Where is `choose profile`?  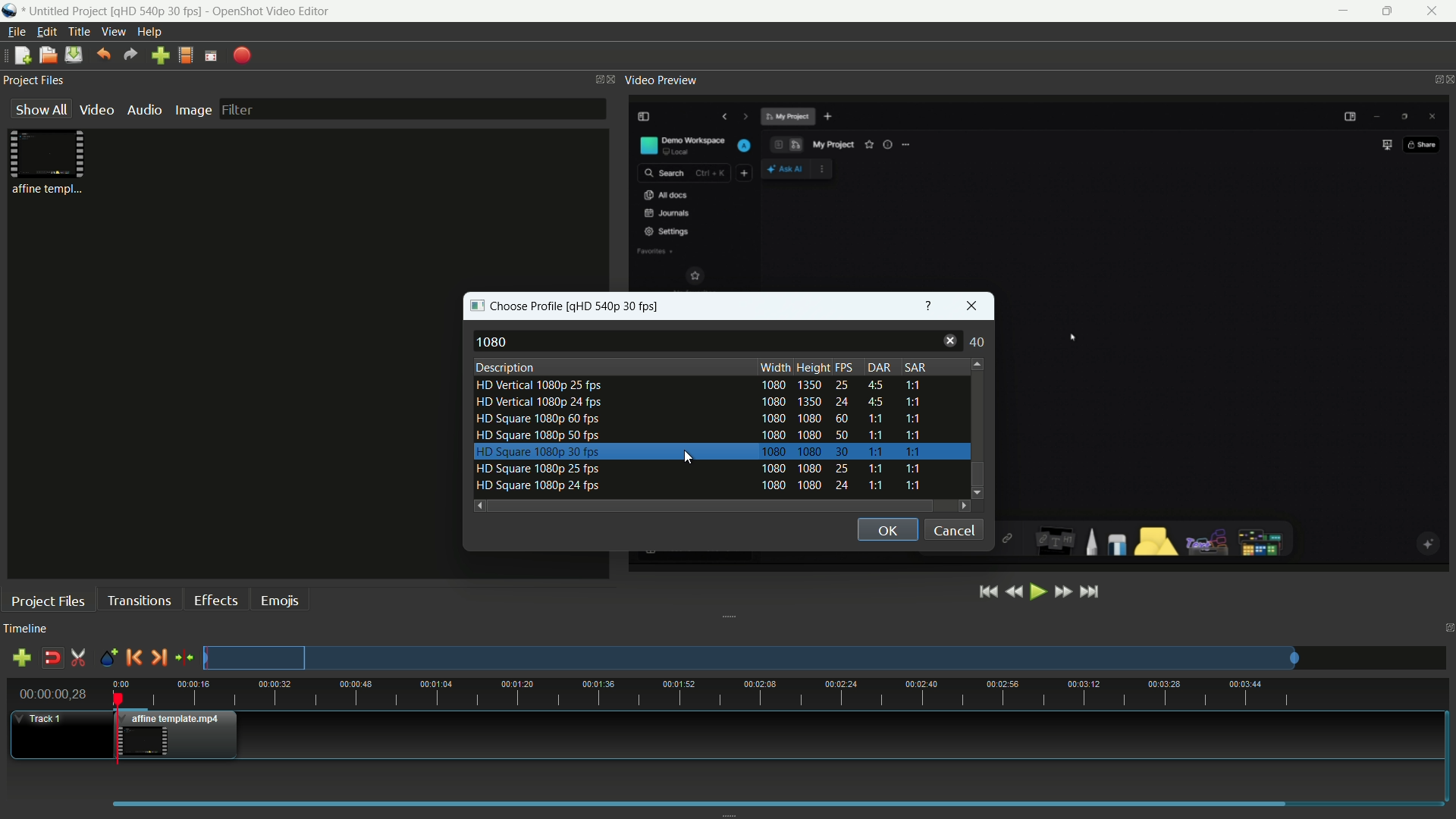 choose profile is located at coordinates (517, 306).